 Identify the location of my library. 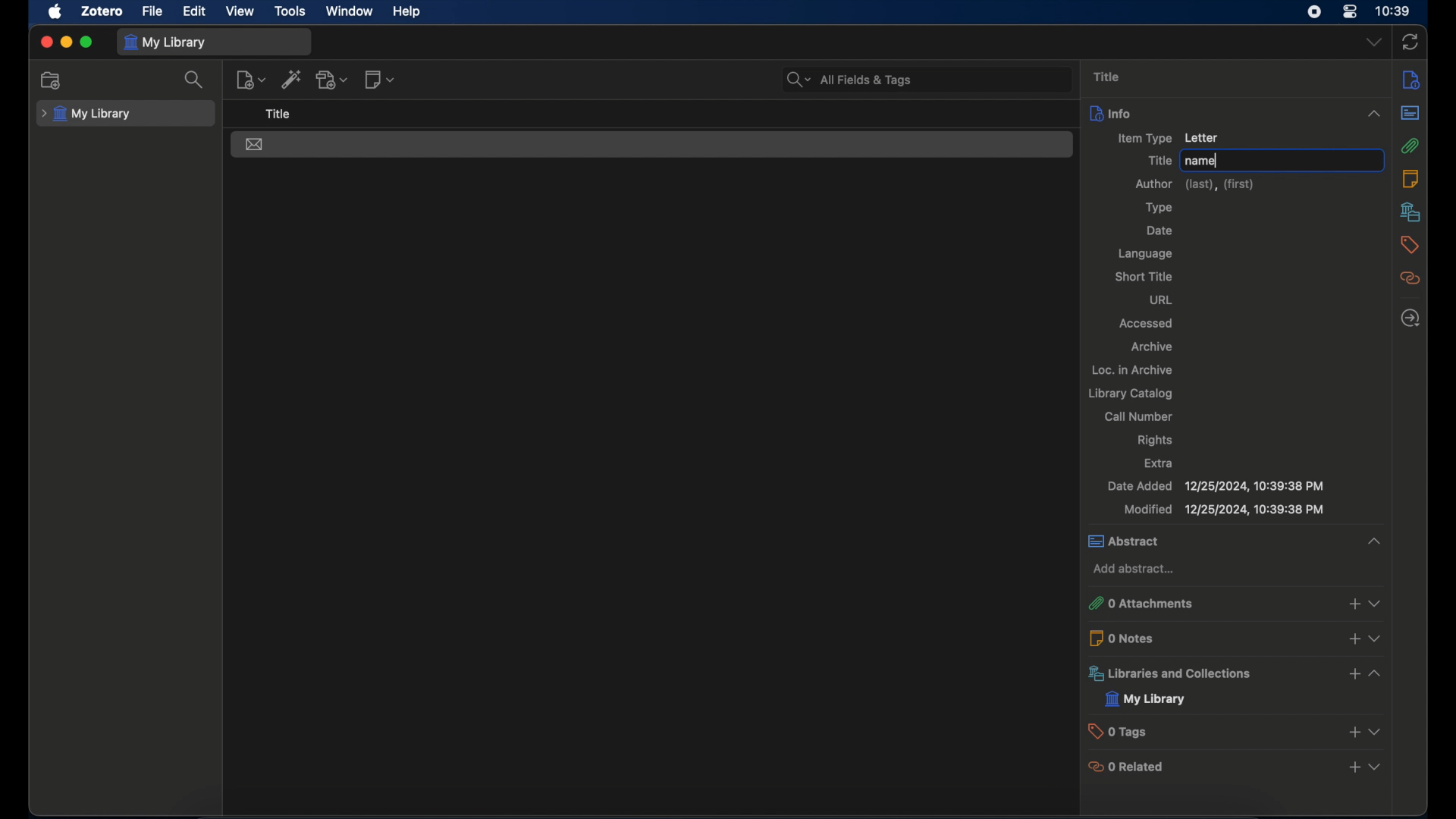
(1147, 701).